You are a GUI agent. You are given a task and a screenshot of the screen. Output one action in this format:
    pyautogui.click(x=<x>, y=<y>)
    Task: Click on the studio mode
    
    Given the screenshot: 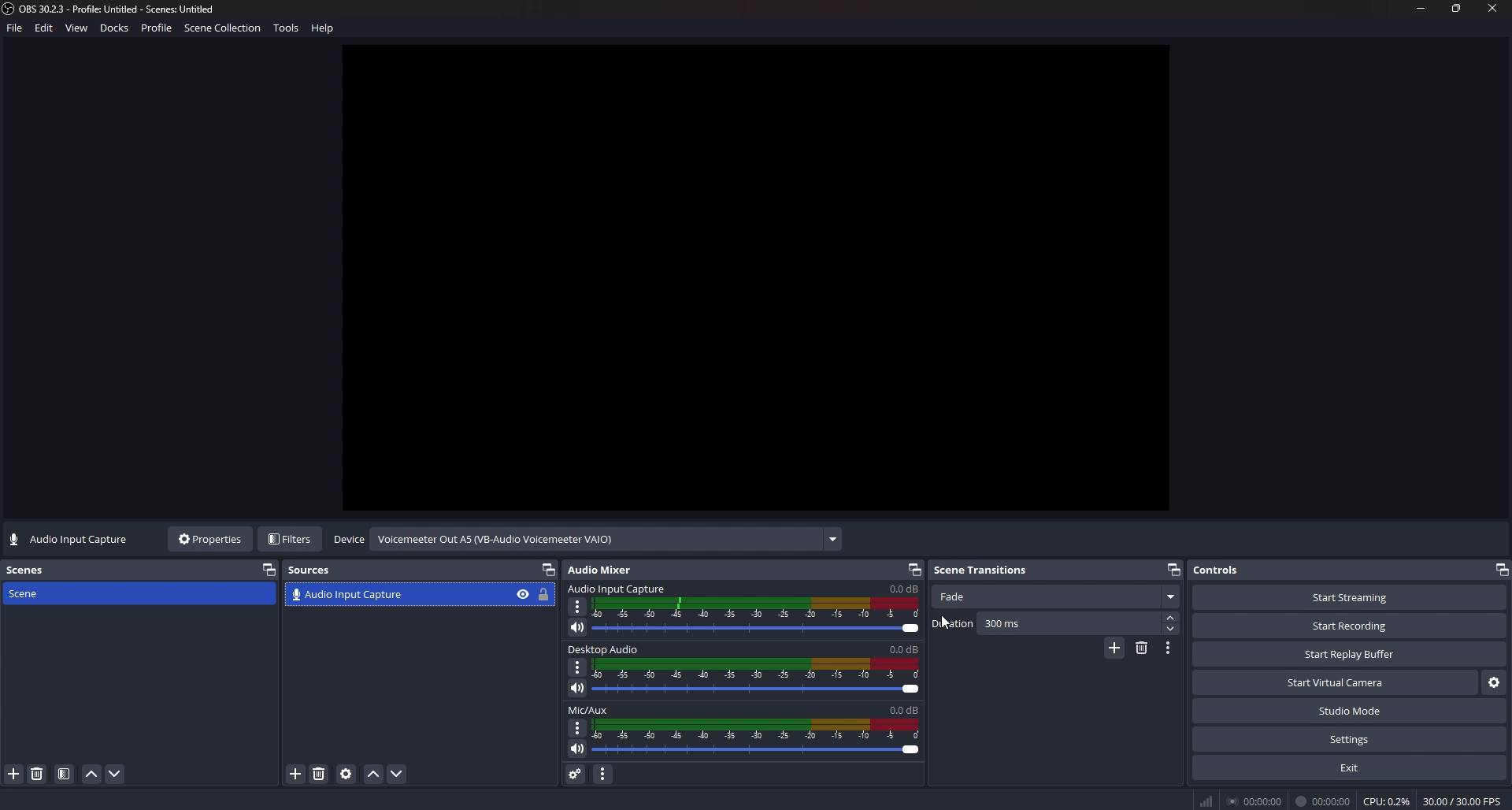 What is the action you would take?
    pyautogui.click(x=1350, y=712)
    